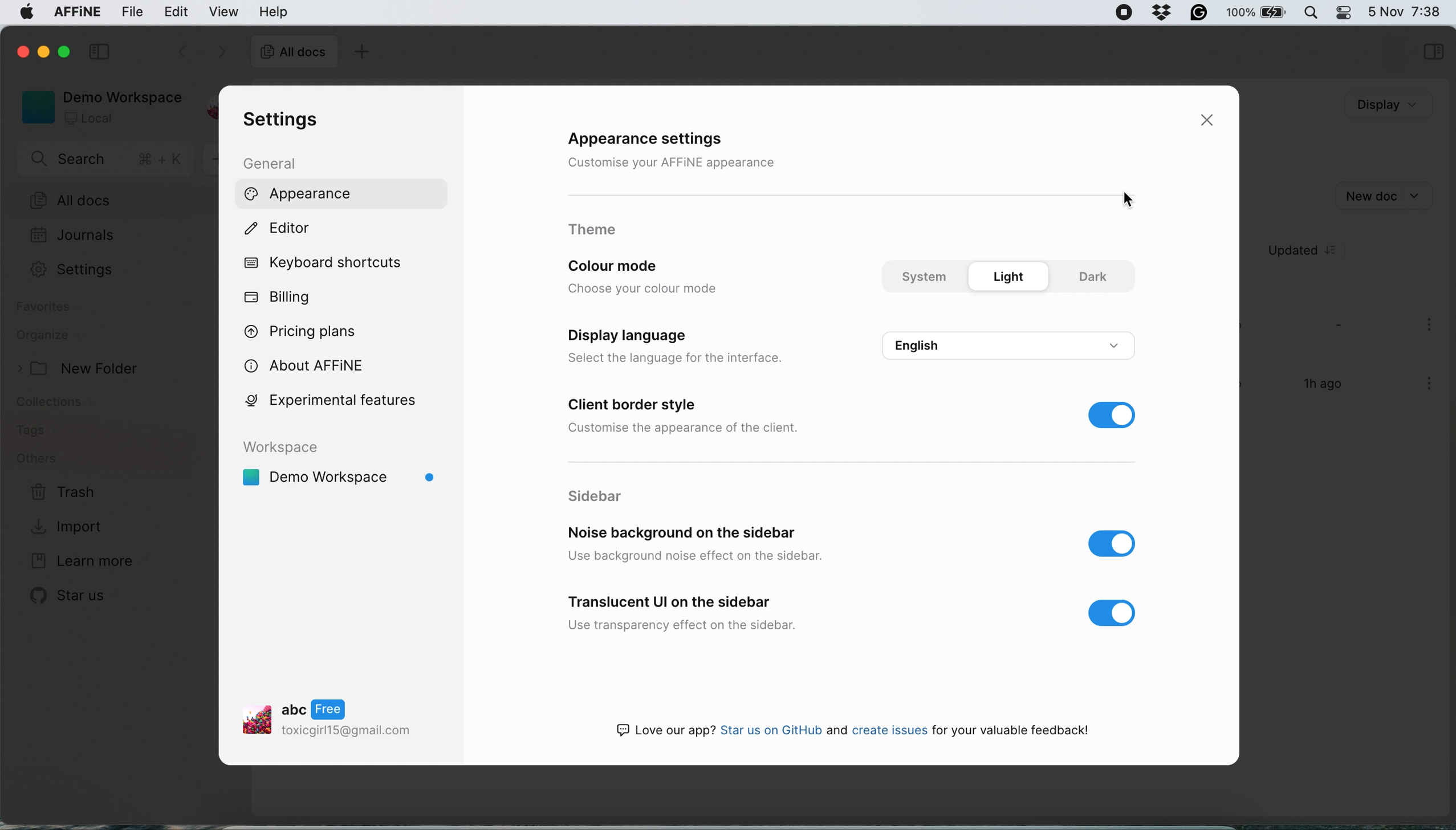 The width and height of the screenshot is (1456, 830). I want to click on sidebar, so click(1433, 54).